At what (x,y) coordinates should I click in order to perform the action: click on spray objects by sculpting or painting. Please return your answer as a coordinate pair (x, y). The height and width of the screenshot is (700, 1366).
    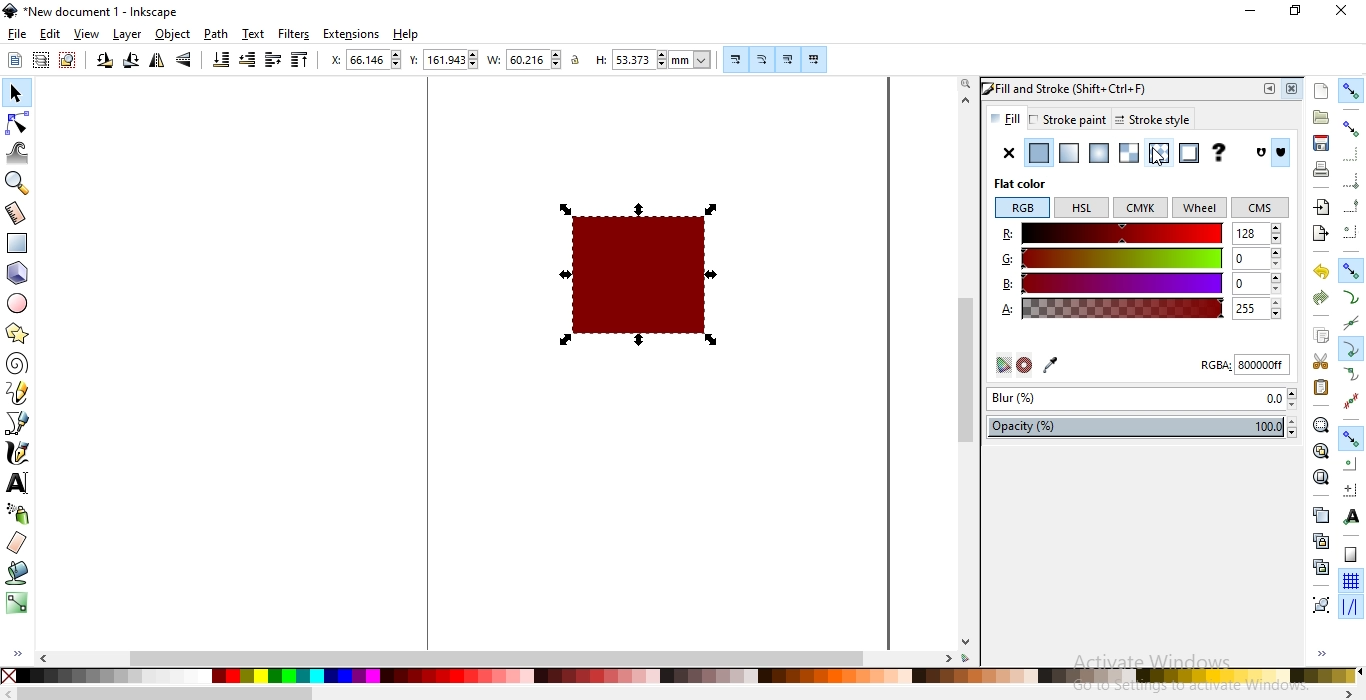
    Looking at the image, I should click on (17, 514).